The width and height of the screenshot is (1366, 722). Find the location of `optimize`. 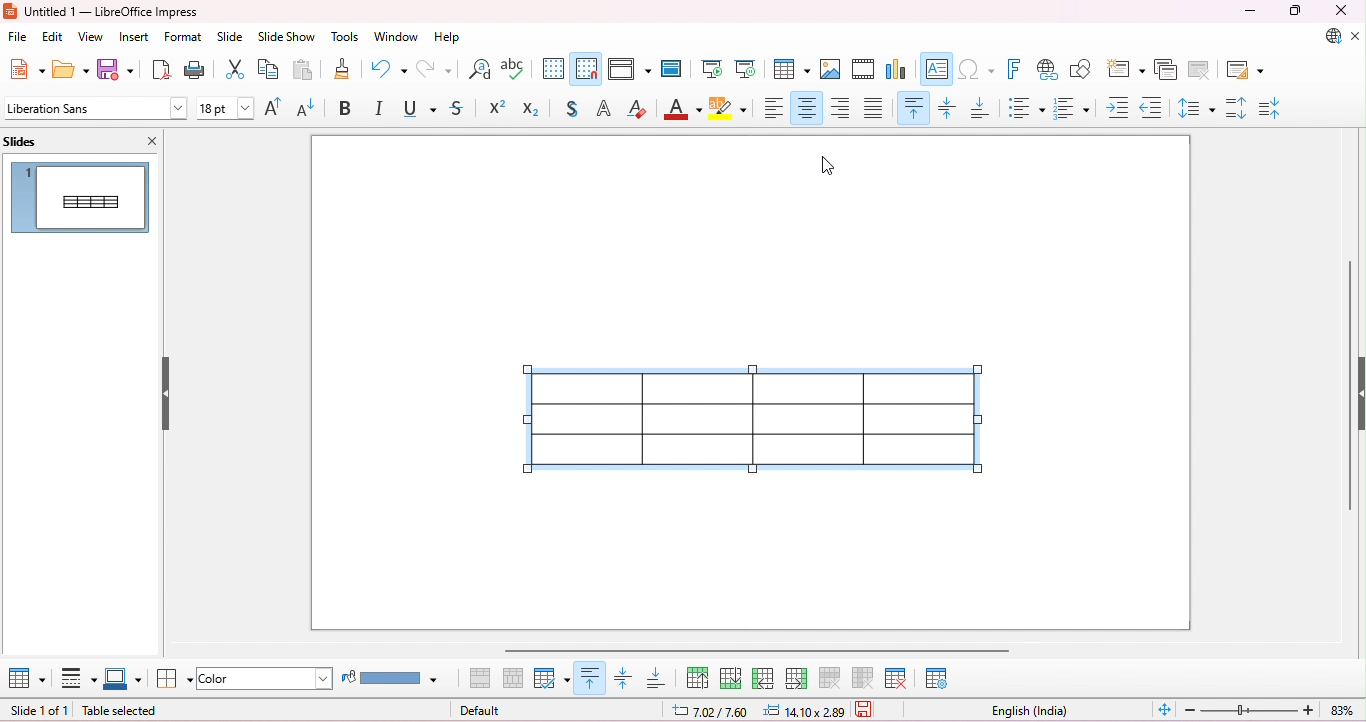

optimize is located at coordinates (552, 678).